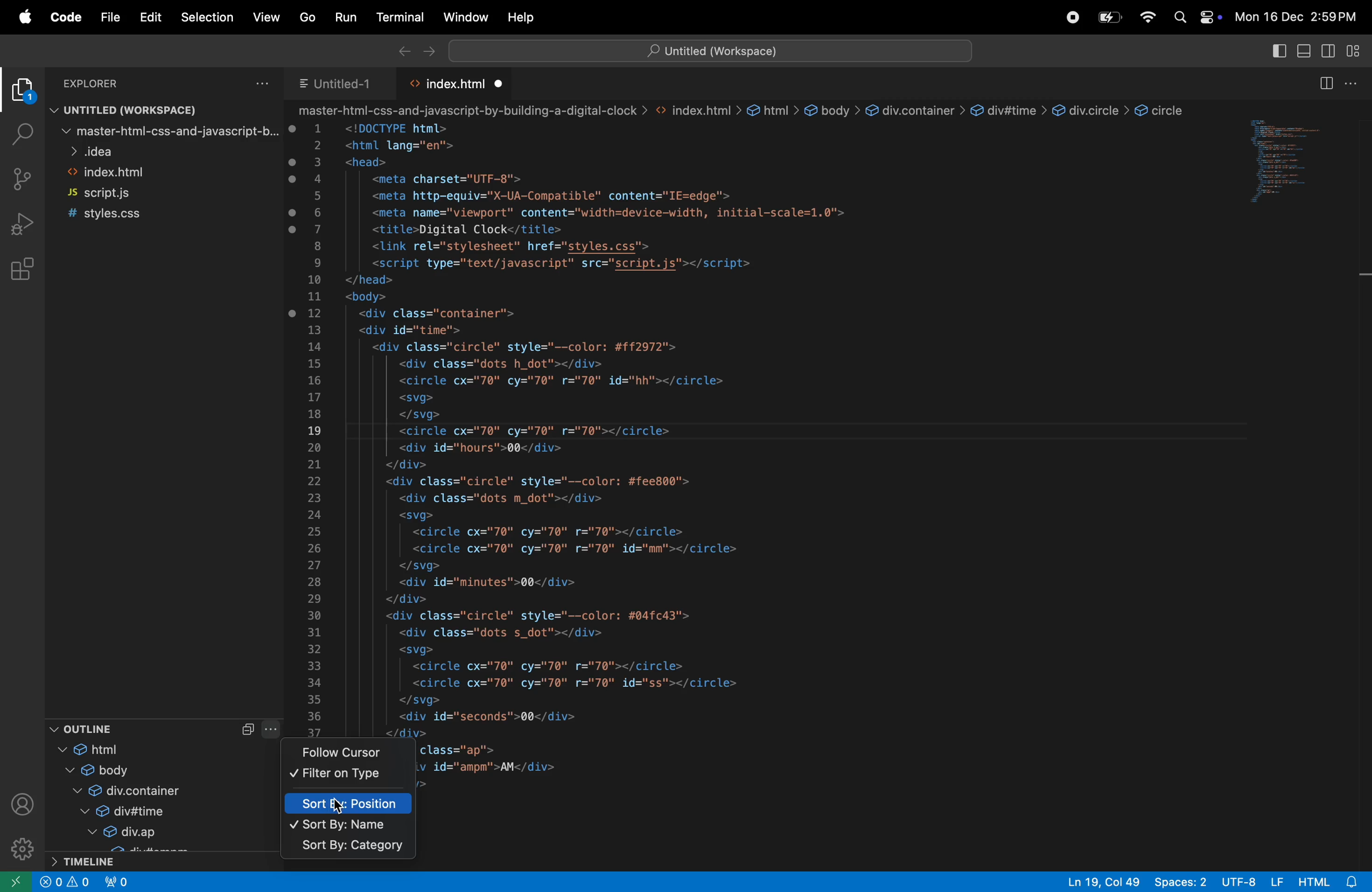 This screenshot has height=892, width=1372. Describe the element at coordinates (50, 882) in the screenshot. I see `create alert` at that location.